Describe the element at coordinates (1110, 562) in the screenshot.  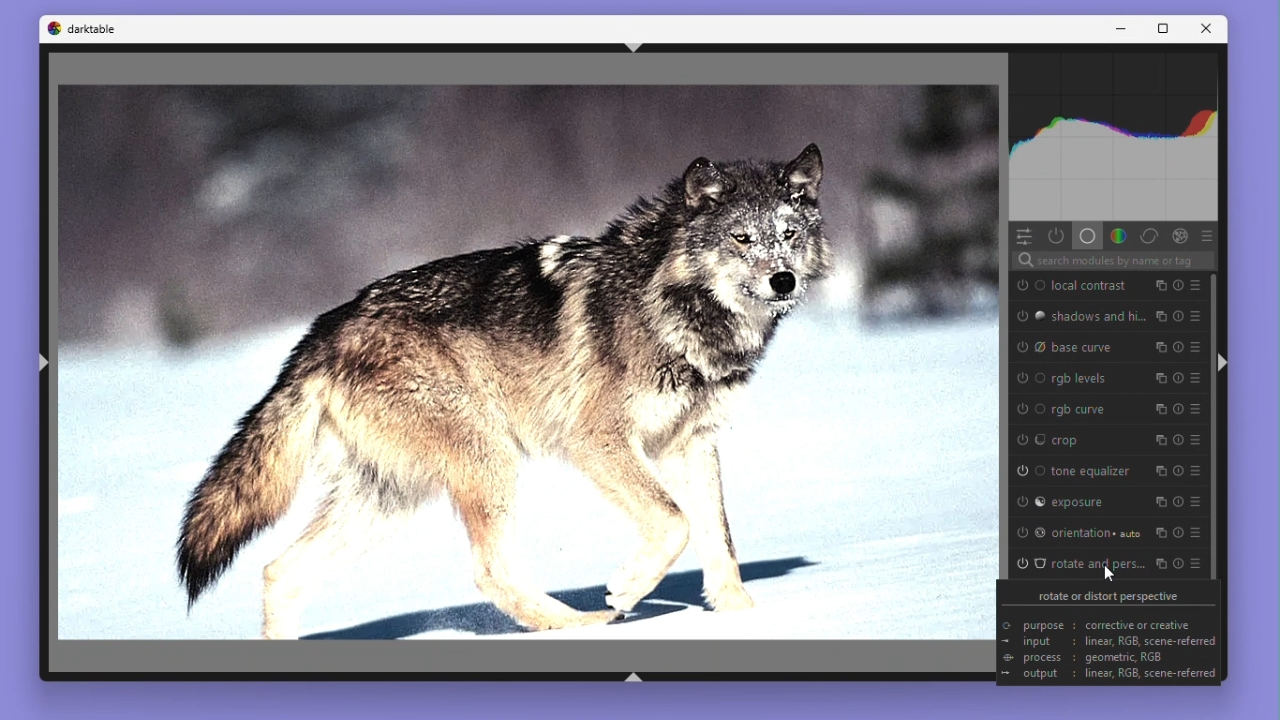
I see `Rotate and perspective` at that location.